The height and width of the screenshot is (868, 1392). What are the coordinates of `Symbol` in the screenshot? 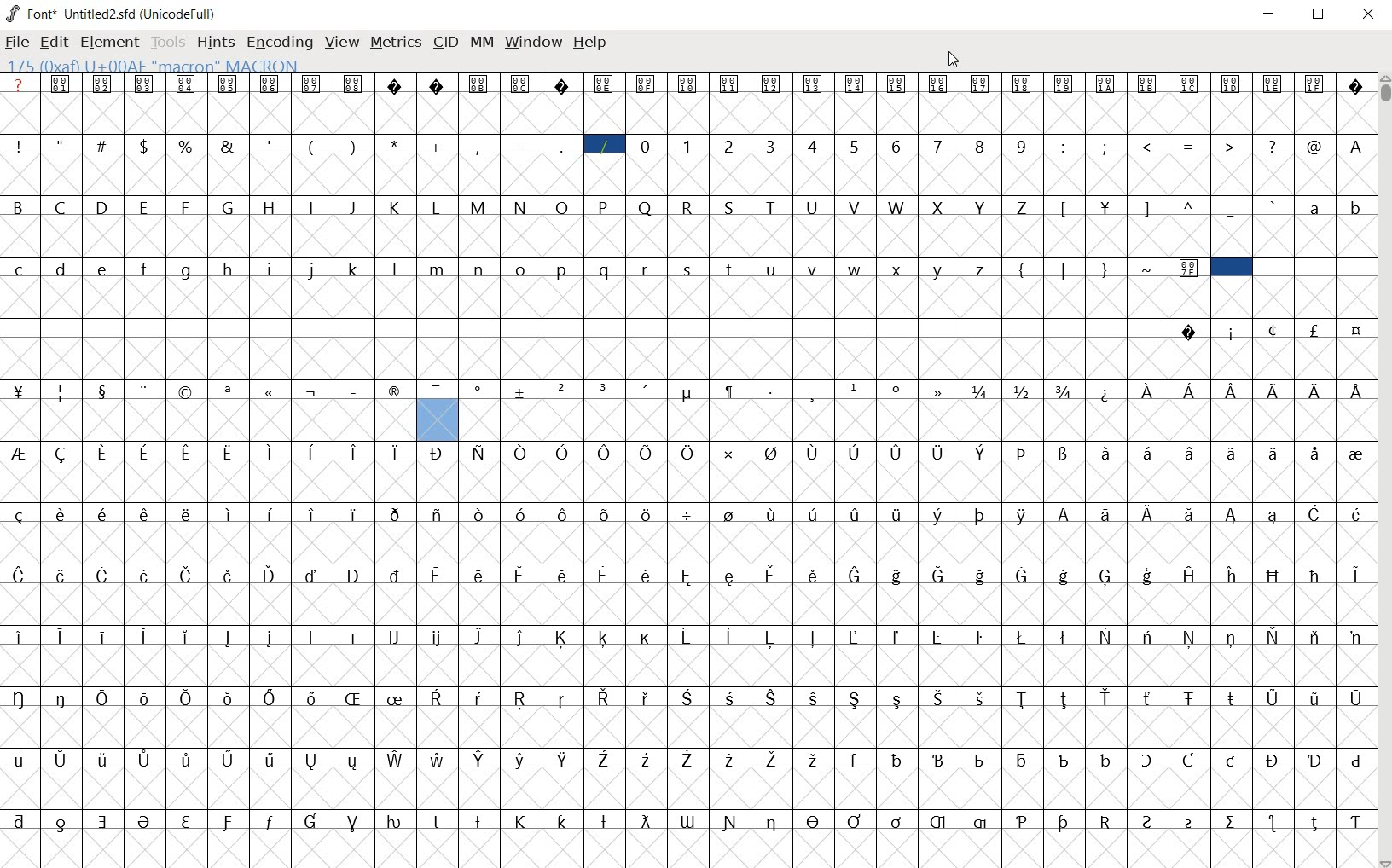 It's located at (59, 759).